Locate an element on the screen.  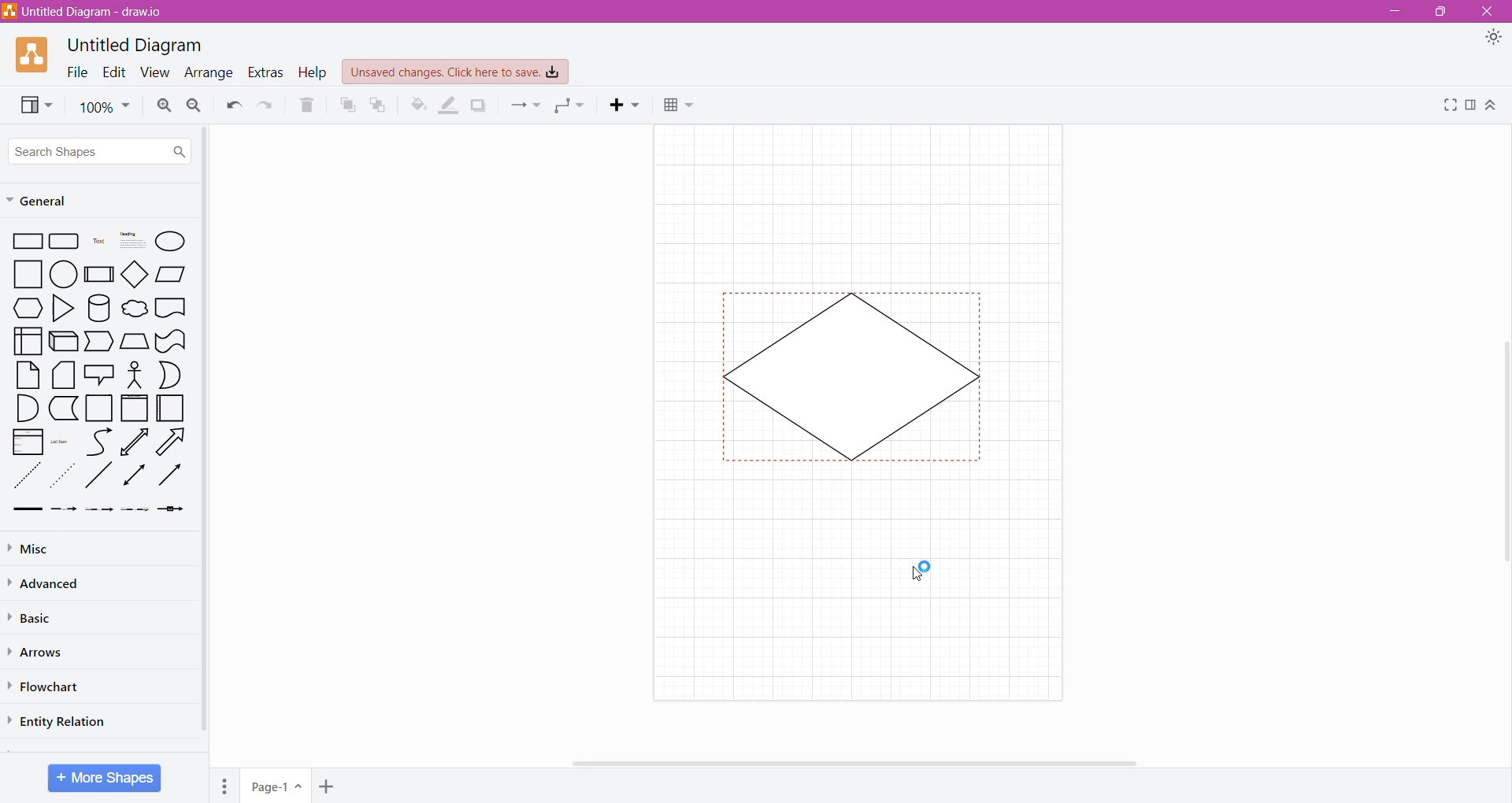
Zoom In is located at coordinates (163, 105).